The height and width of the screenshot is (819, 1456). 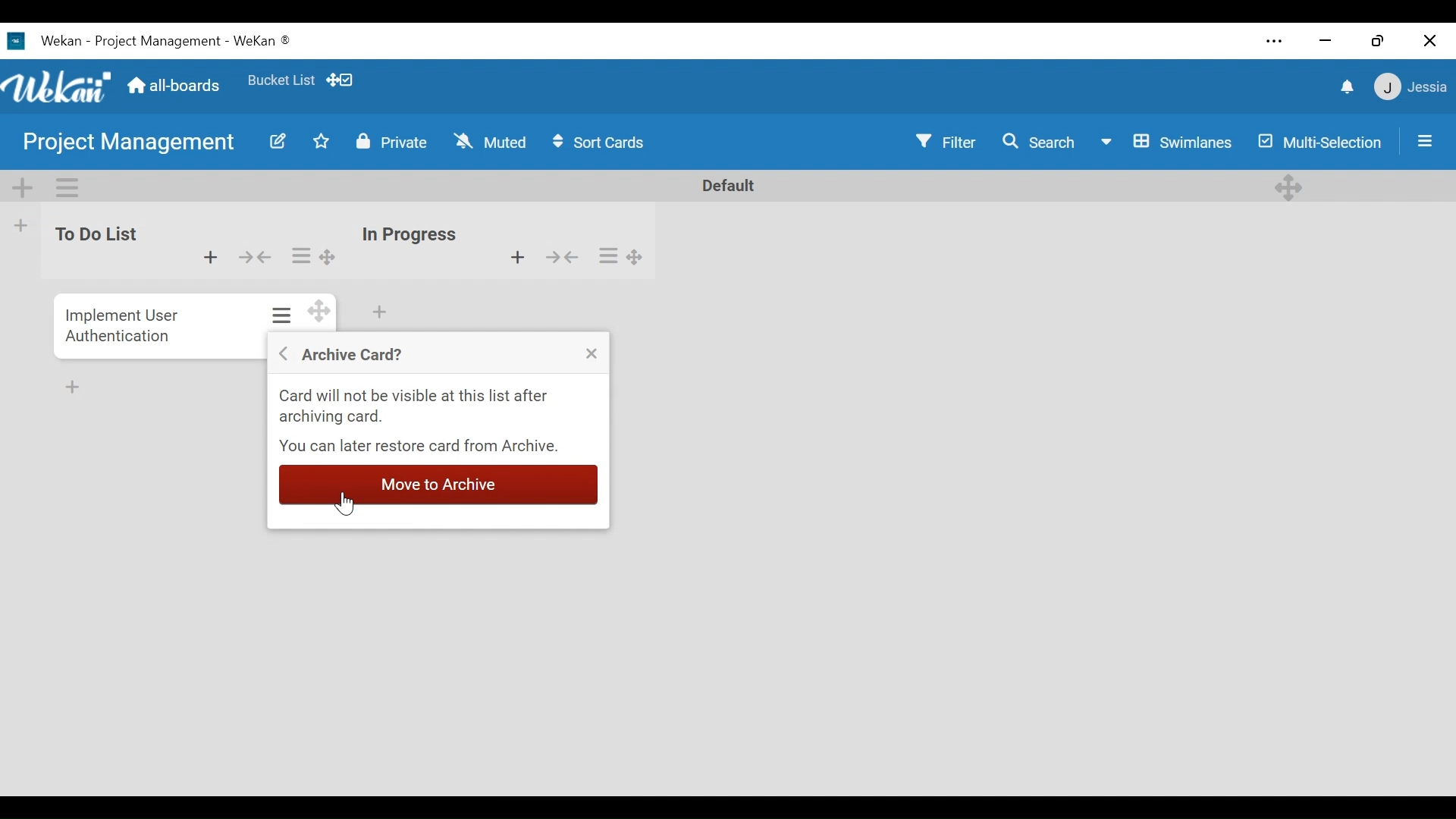 What do you see at coordinates (439, 422) in the screenshot?
I see `Prompt message` at bounding box center [439, 422].